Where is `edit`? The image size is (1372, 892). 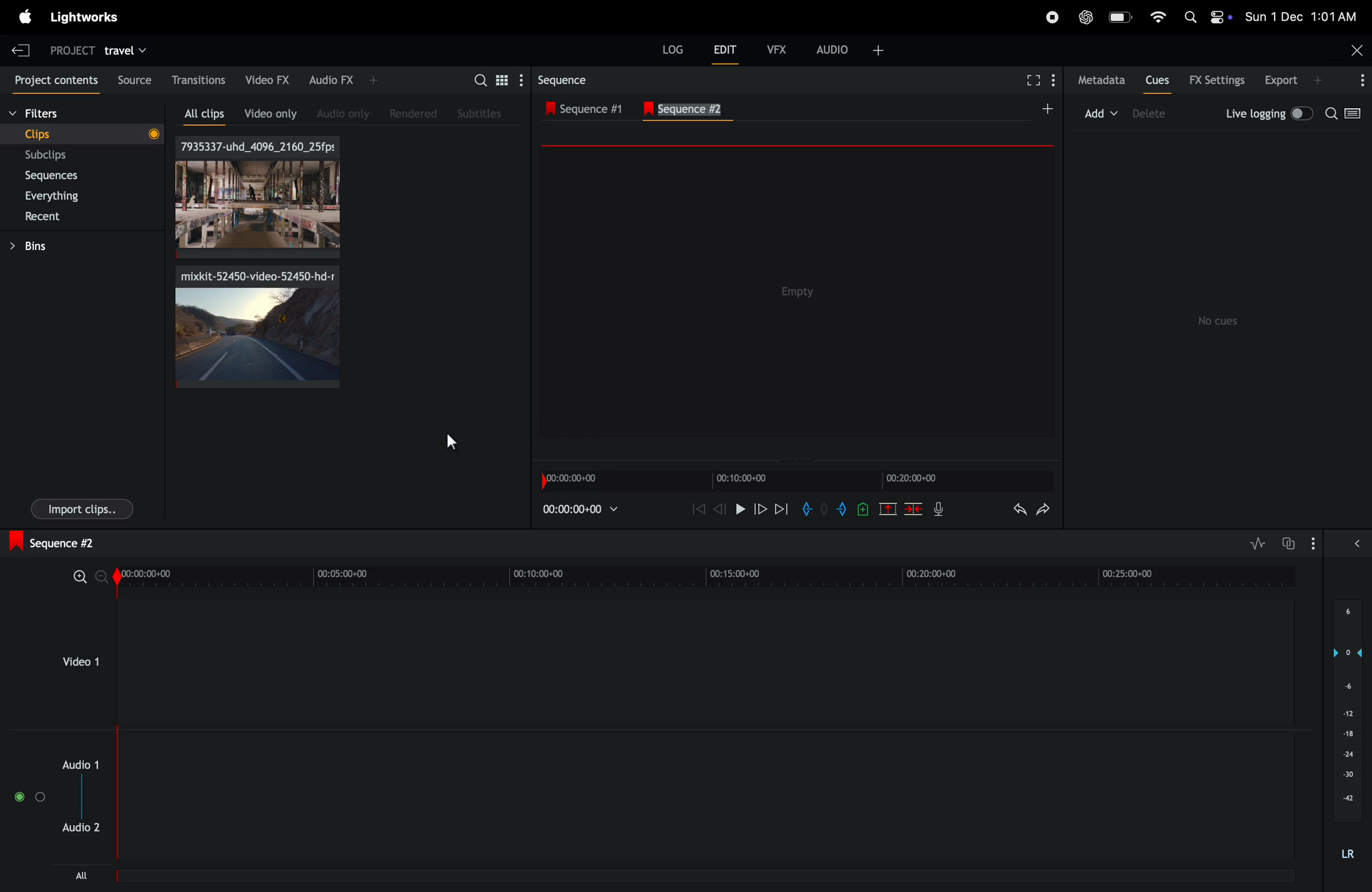
edit is located at coordinates (725, 49).